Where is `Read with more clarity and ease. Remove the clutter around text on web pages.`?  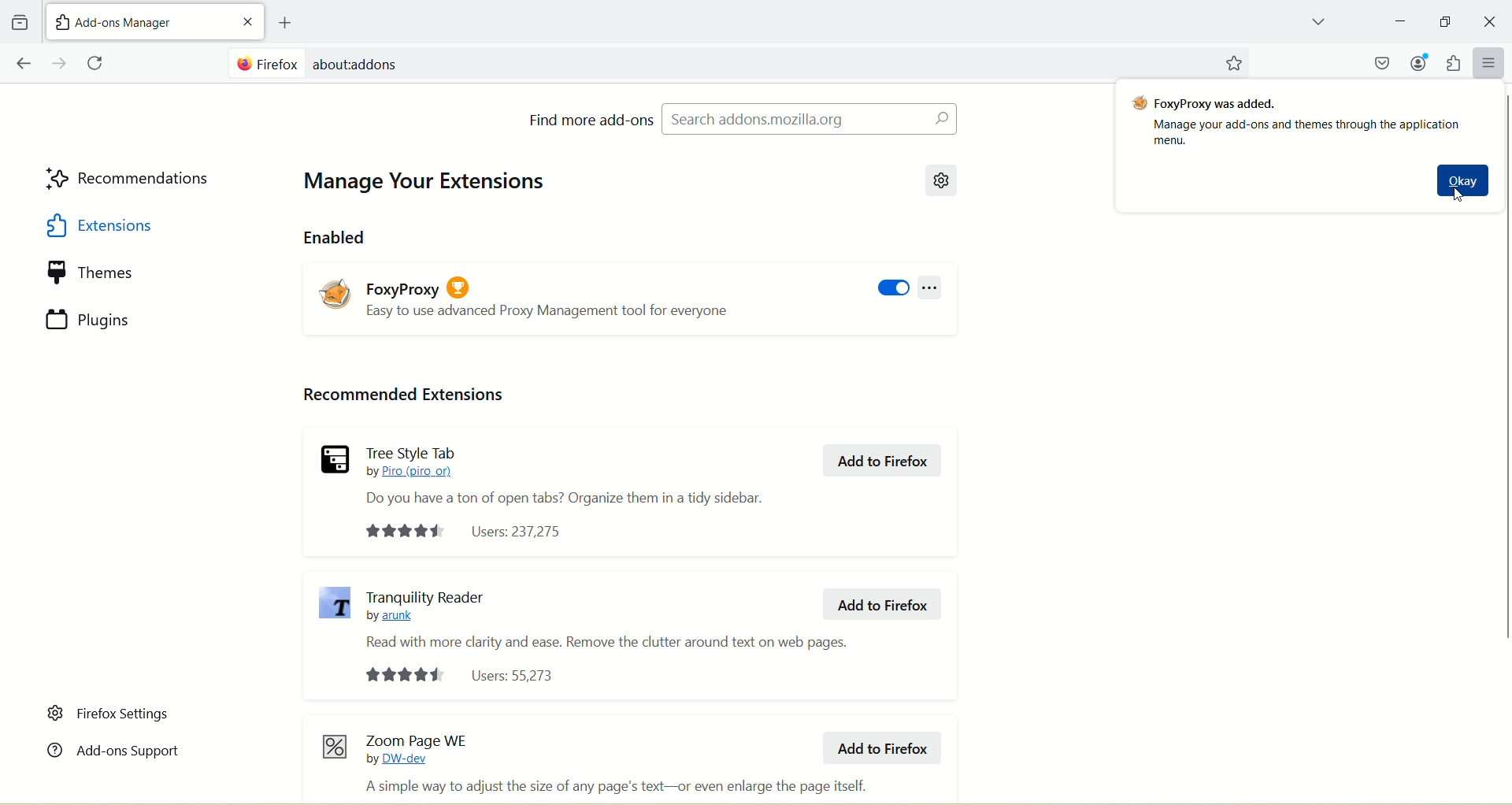 Read with more clarity and ease. Remove the clutter around text on web pages. is located at coordinates (607, 641).